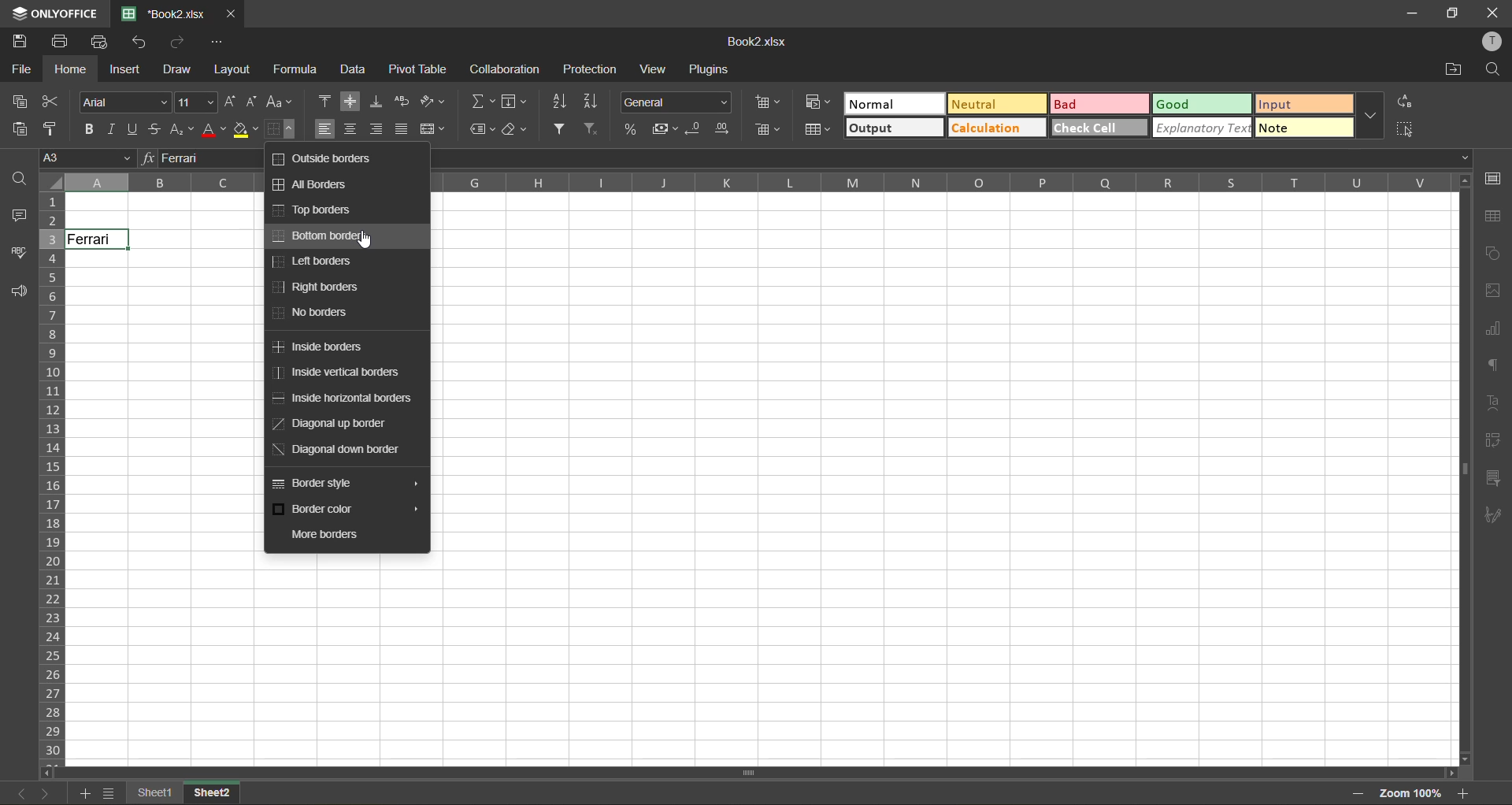 This screenshot has height=805, width=1512. What do you see at coordinates (1493, 365) in the screenshot?
I see `paragraph` at bounding box center [1493, 365].